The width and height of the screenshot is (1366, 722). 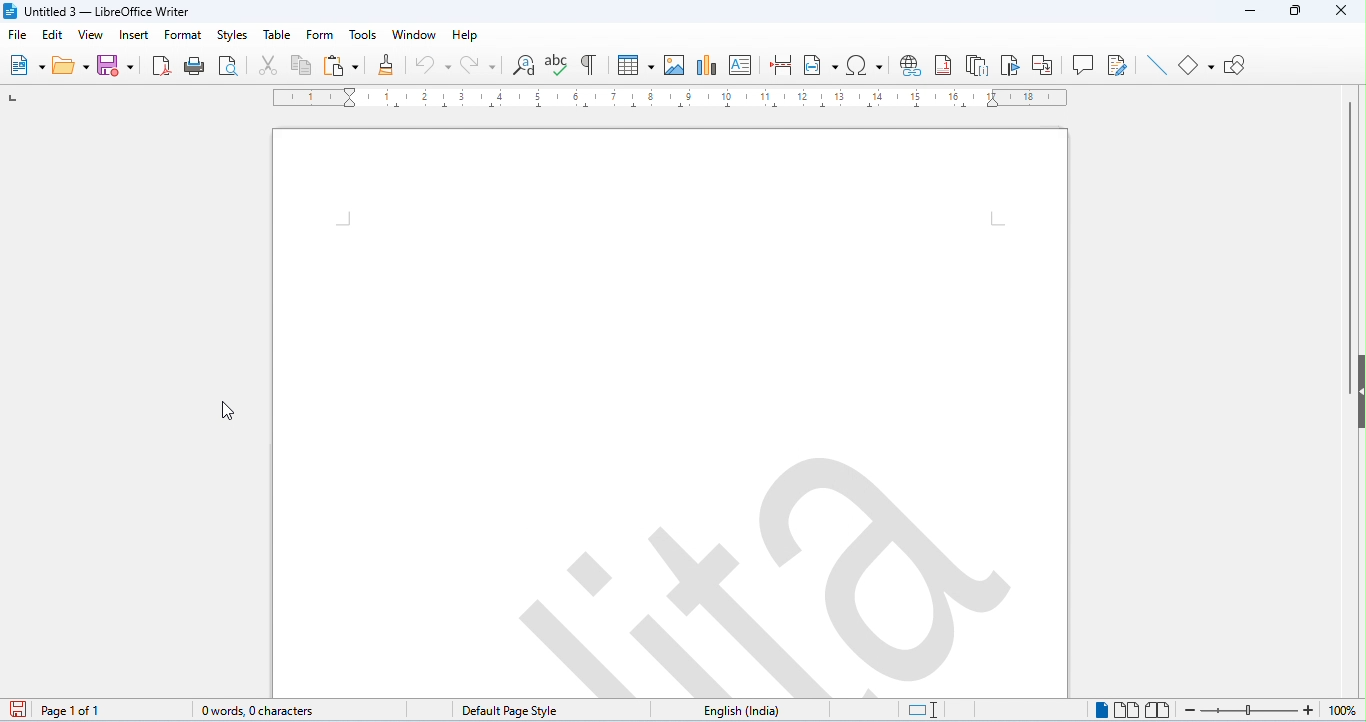 What do you see at coordinates (479, 65) in the screenshot?
I see `redo` at bounding box center [479, 65].